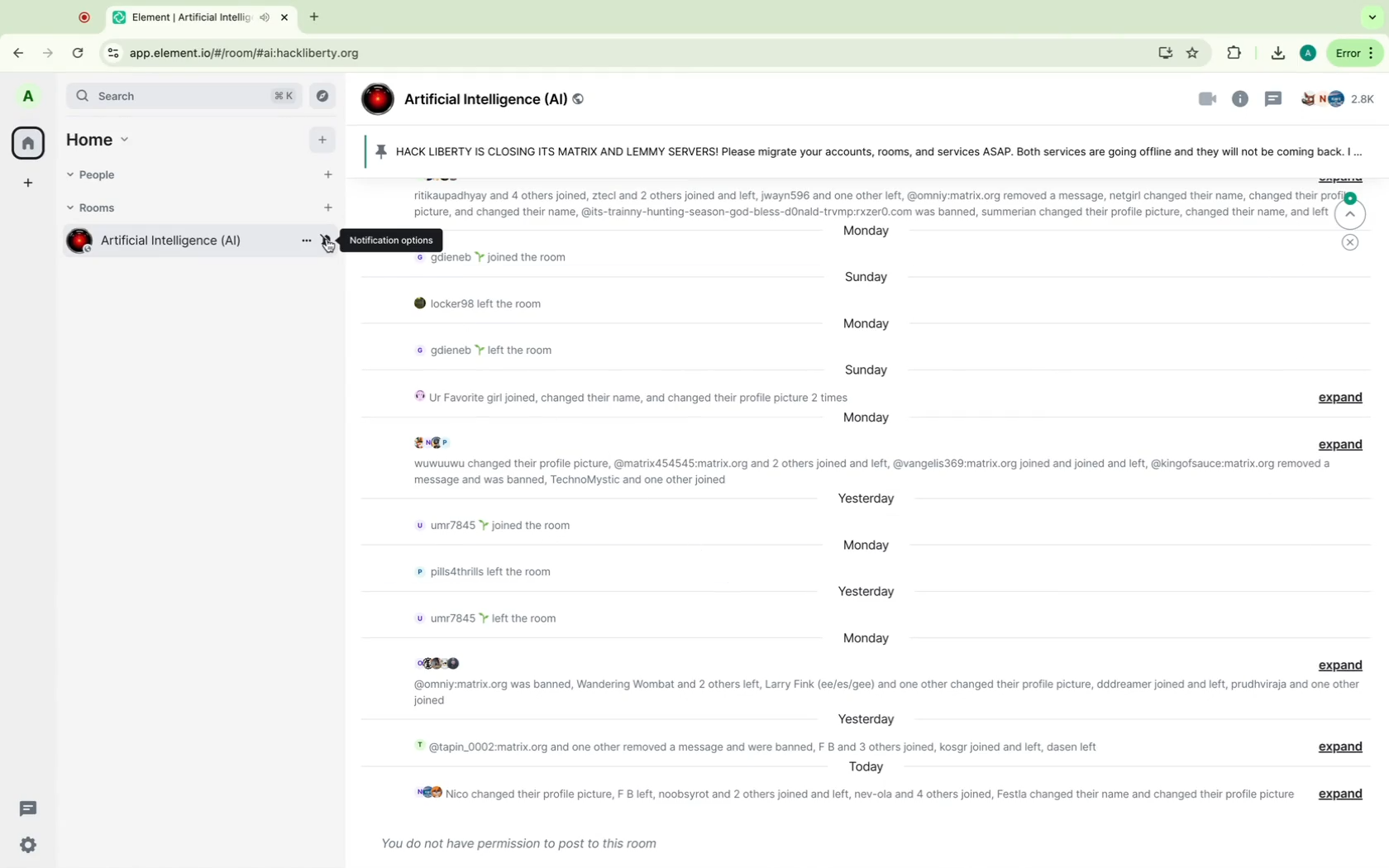  I want to click on message, so click(496, 259).